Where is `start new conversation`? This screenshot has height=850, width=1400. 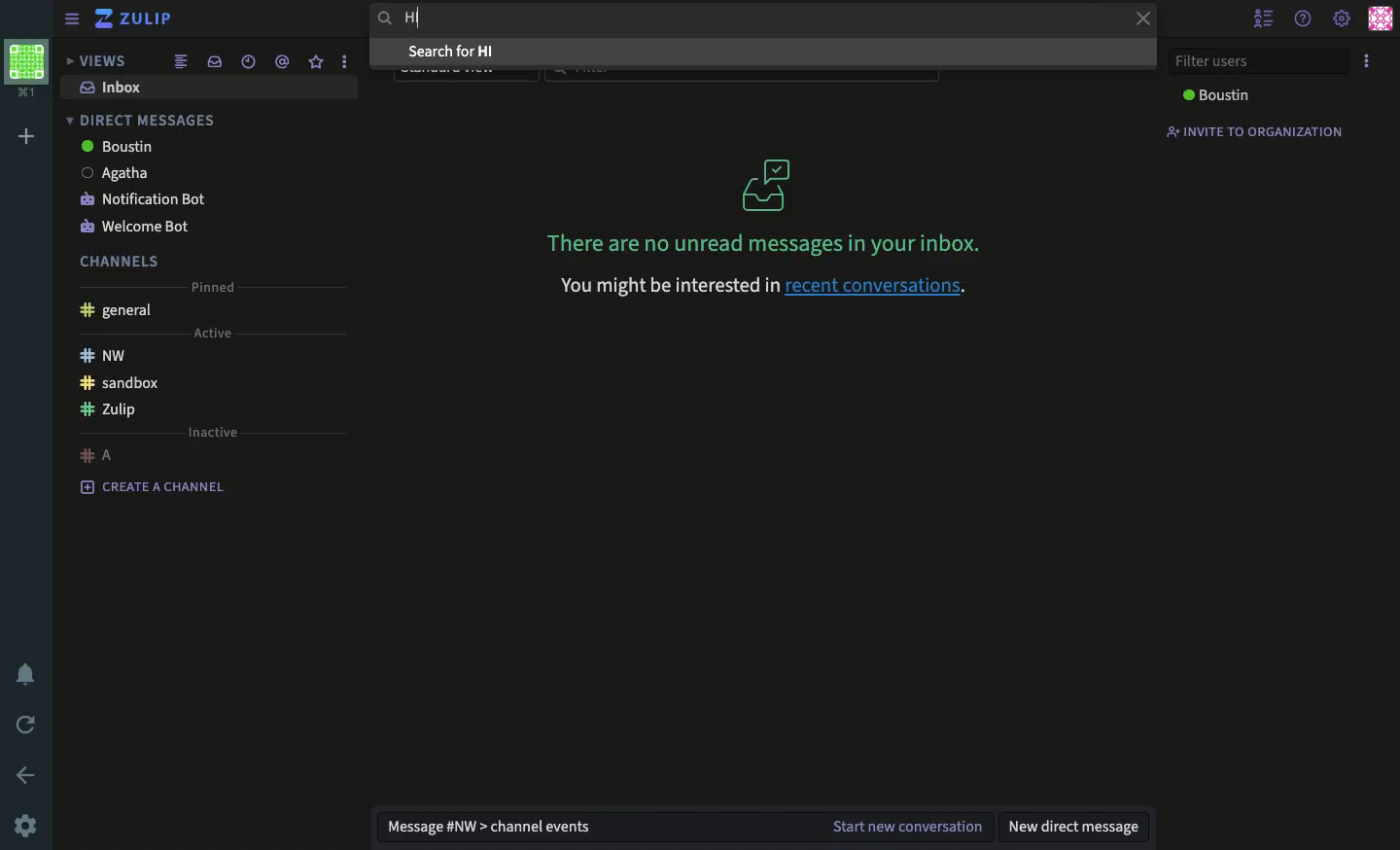 start new conversation is located at coordinates (905, 827).